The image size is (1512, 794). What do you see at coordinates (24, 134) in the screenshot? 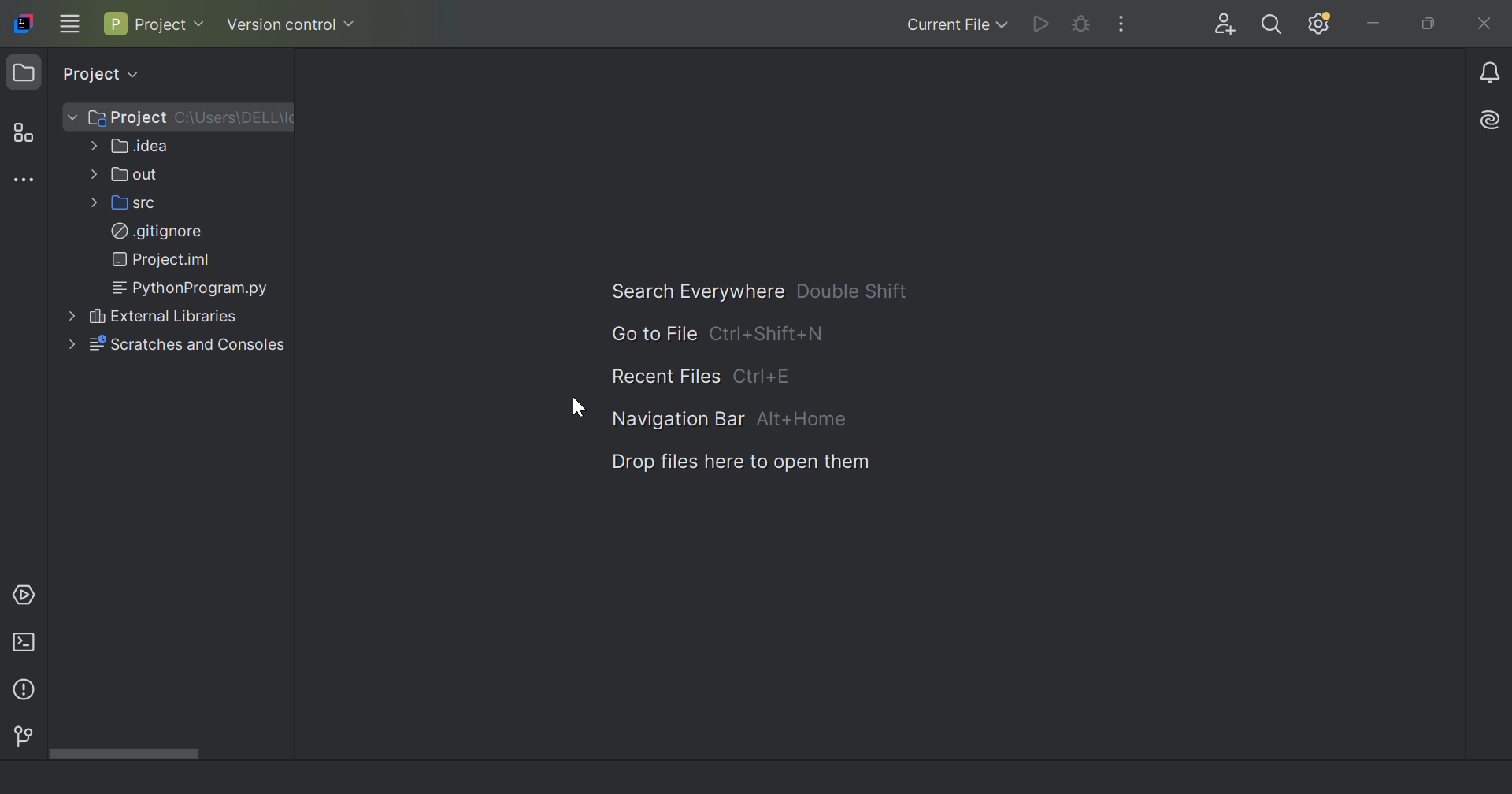
I see `Structure` at bounding box center [24, 134].